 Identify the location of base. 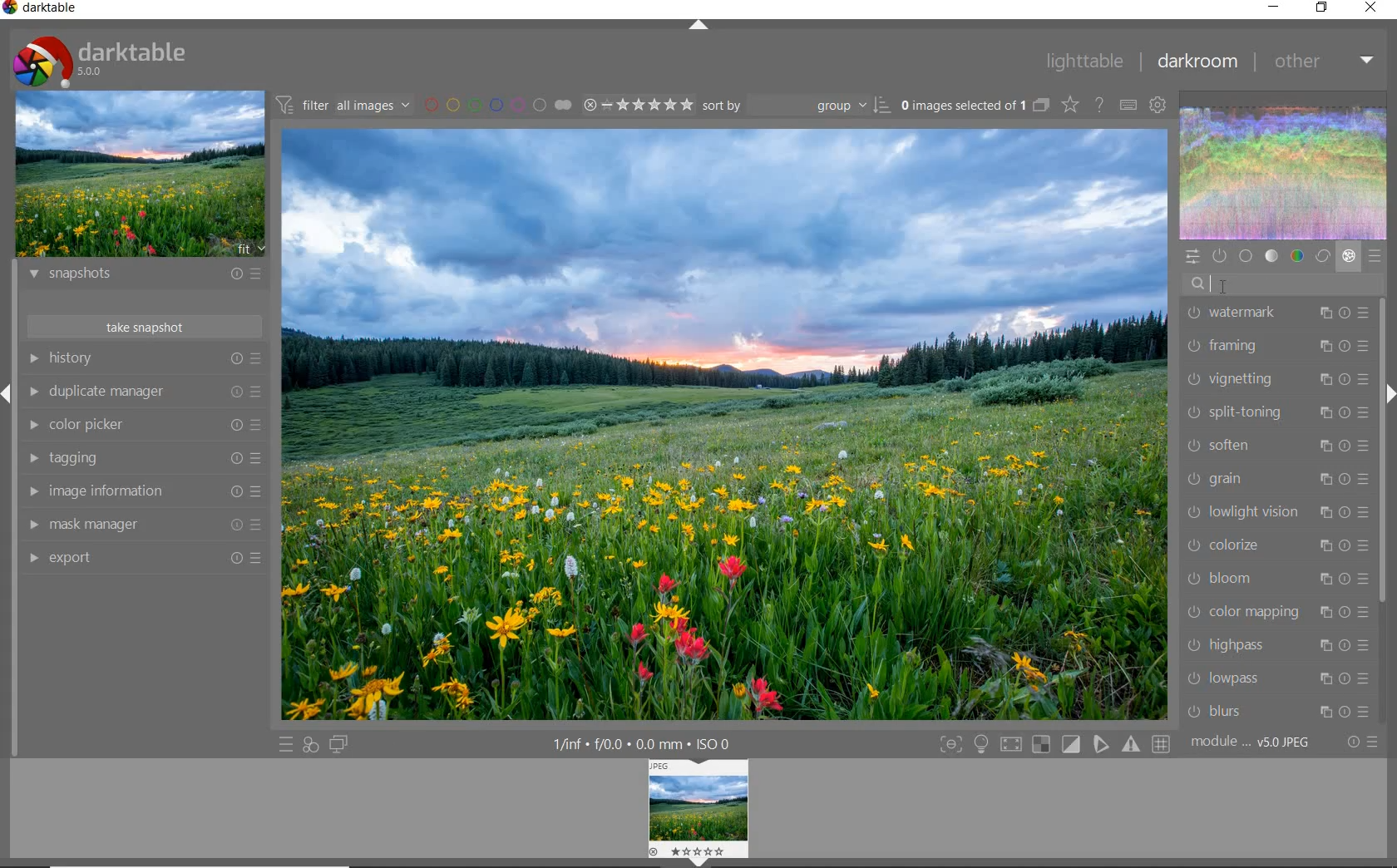
(1247, 256).